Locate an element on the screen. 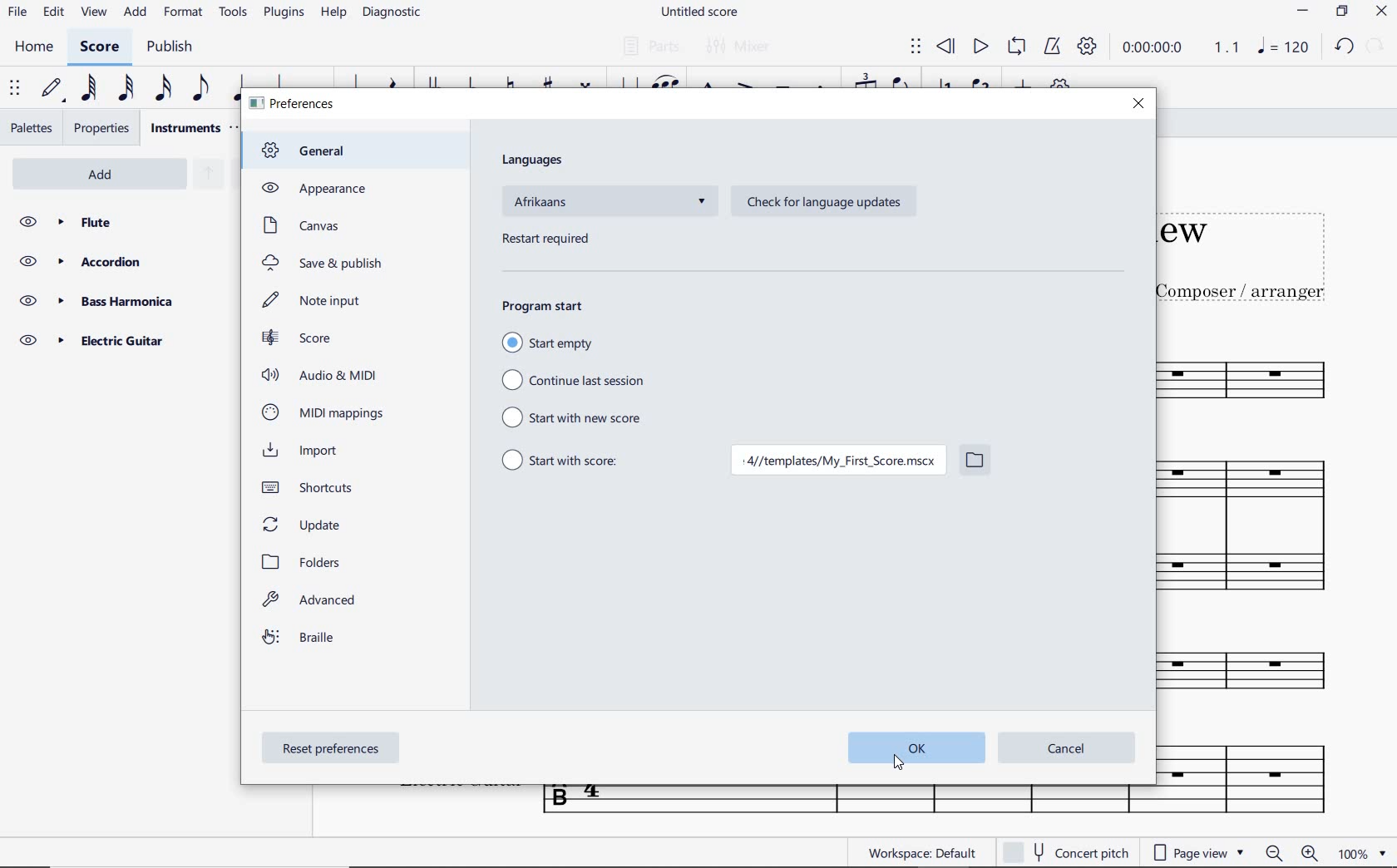 Image resolution: width=1397 pixels, height=868 pixels. note input is located at coordinates (315, 300).